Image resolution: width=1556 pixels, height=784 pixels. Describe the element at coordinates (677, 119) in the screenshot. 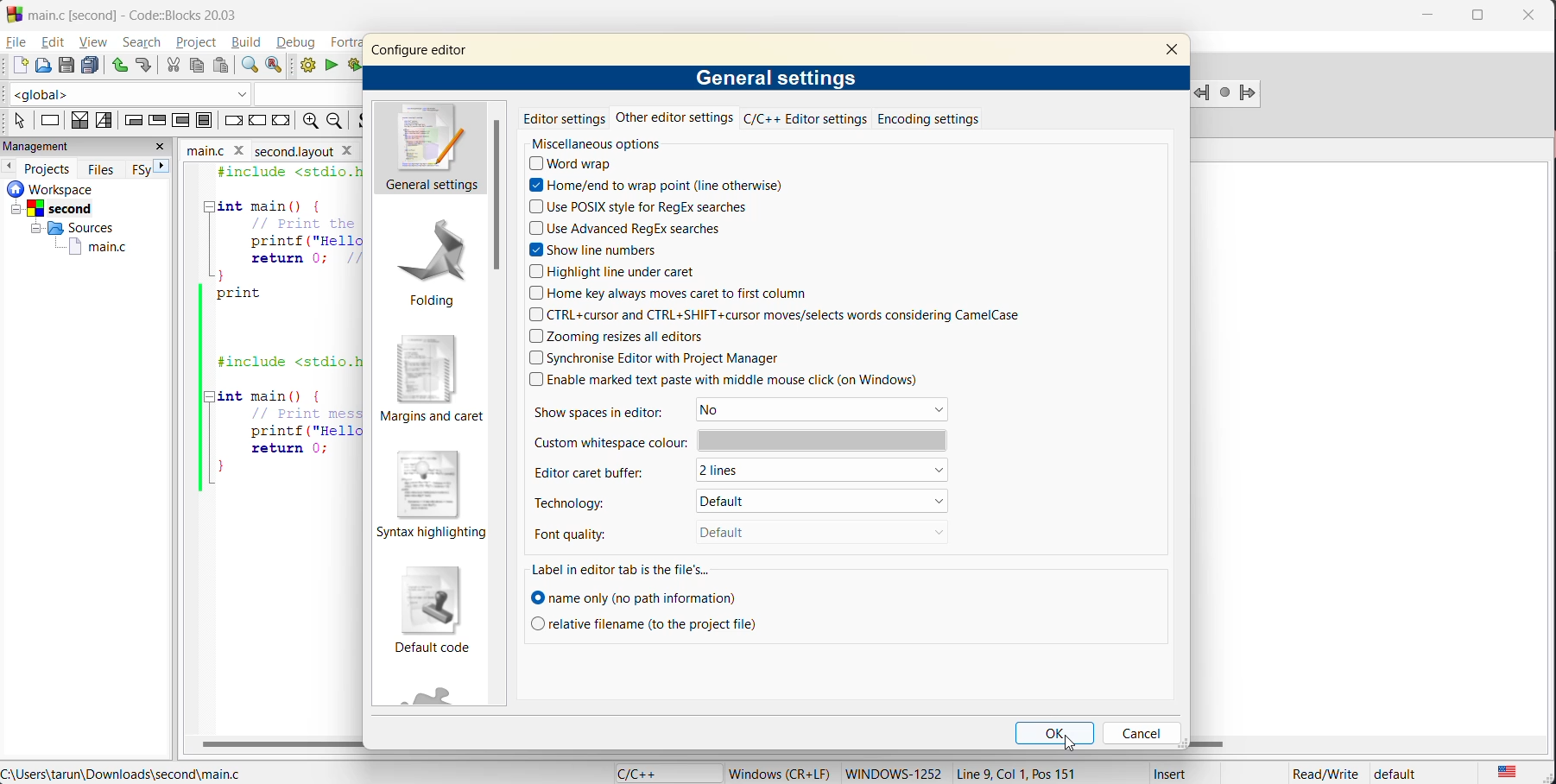

I see `other editor settings` at that location.